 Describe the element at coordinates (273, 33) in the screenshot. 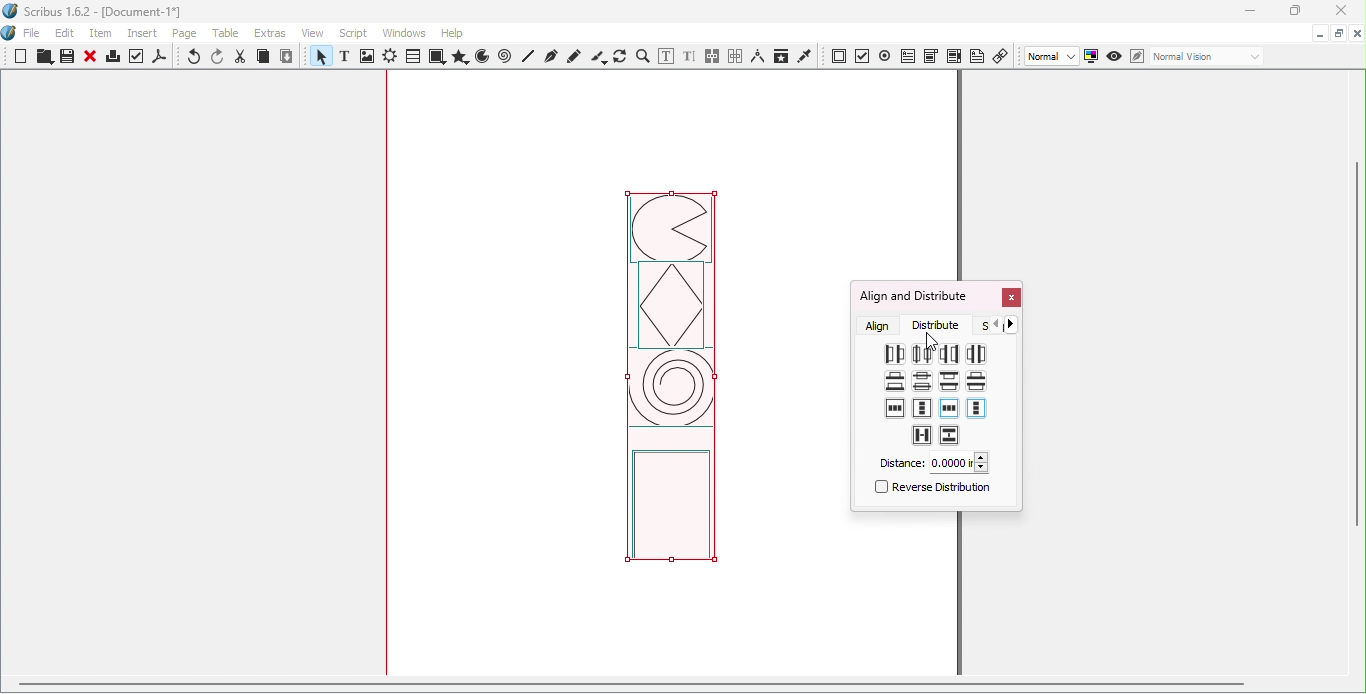

I see `Extras` at that location.